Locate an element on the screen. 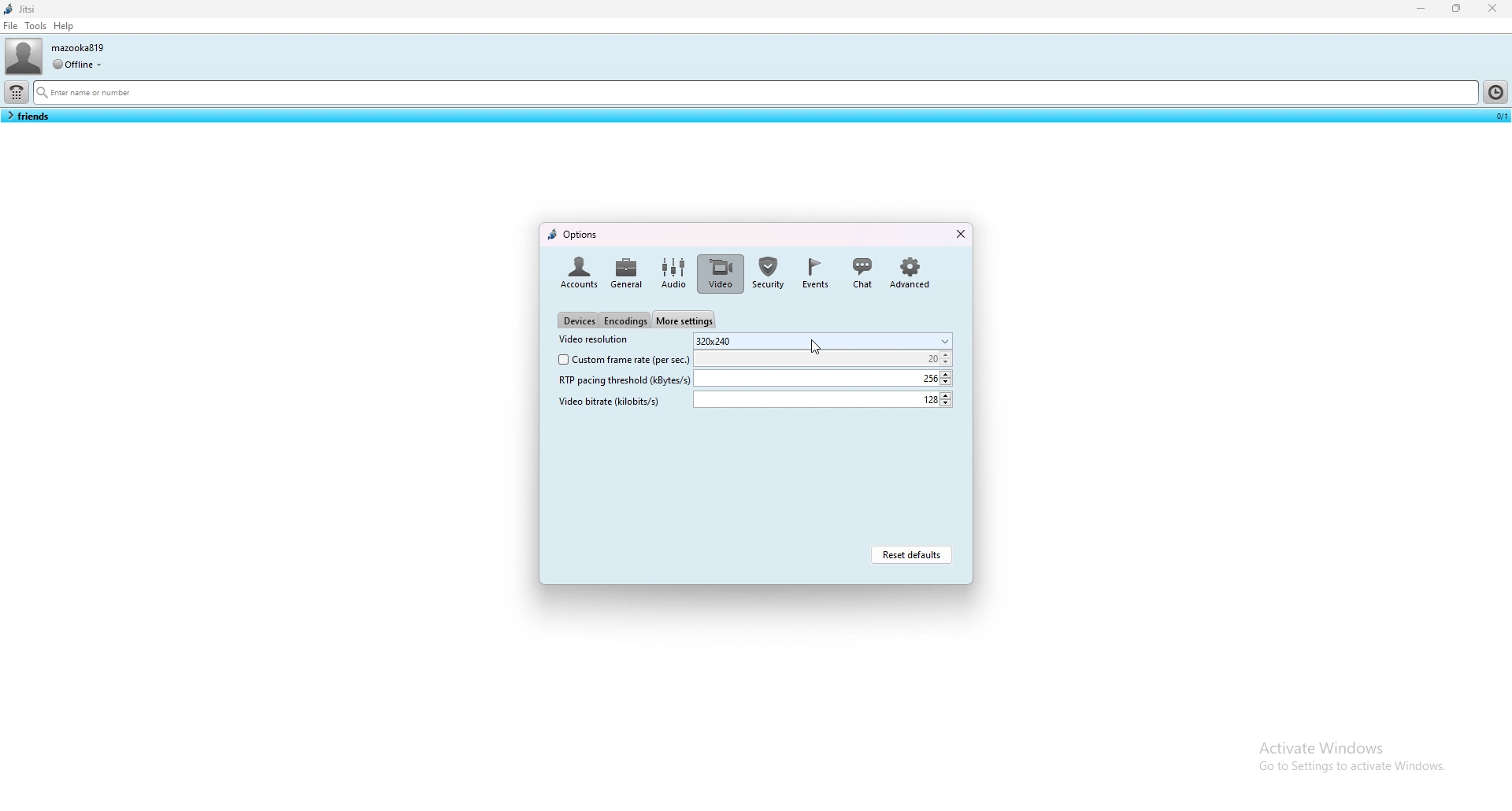  More settings is located at coordinates (684, 318).